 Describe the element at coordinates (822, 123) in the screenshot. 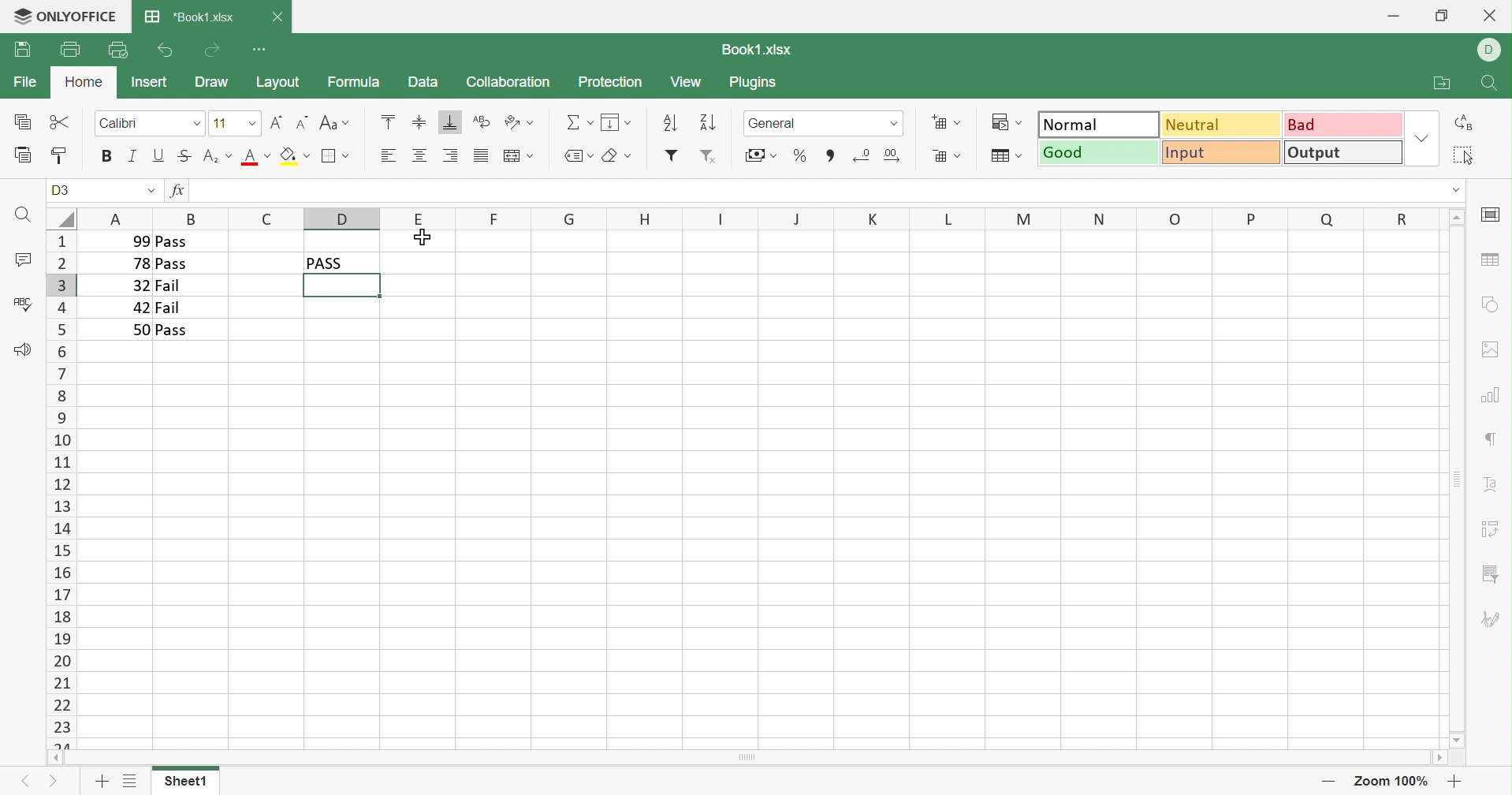

I see `Number format` at that location.